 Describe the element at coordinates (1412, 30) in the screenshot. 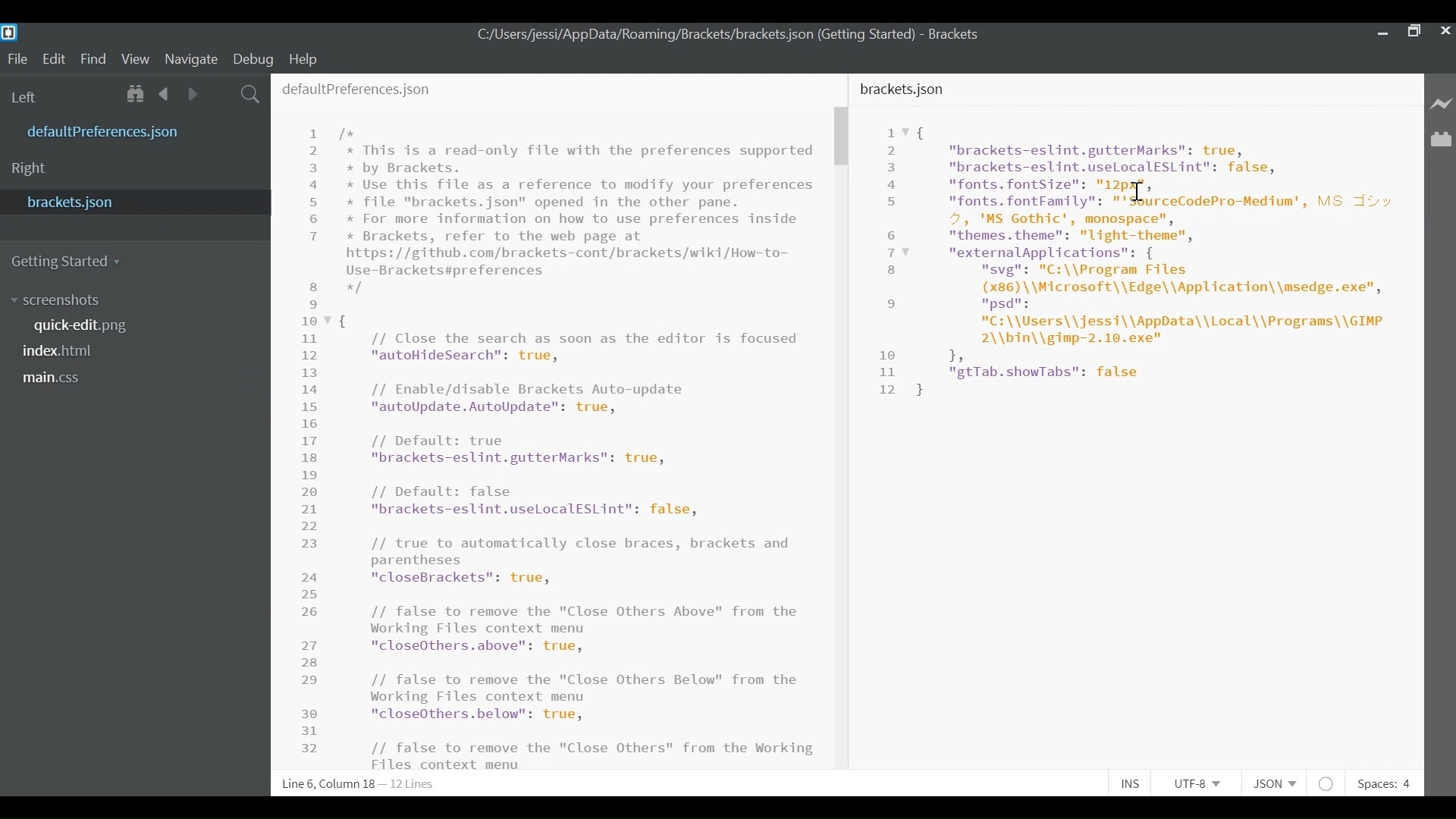

I see `Restore` at that location.